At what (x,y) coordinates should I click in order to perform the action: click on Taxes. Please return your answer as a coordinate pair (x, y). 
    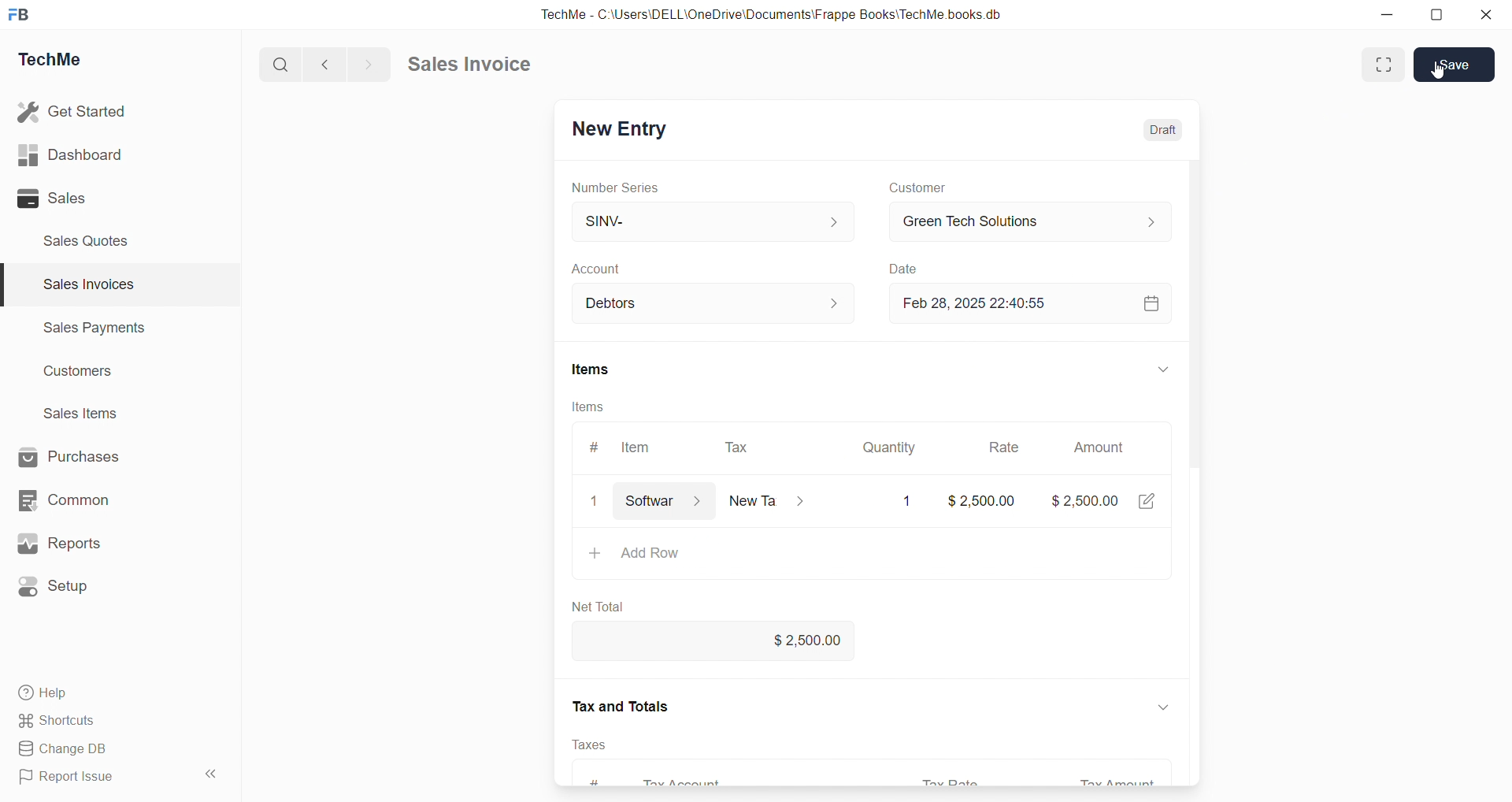
    Looking at the image, I should click on (590, 745).